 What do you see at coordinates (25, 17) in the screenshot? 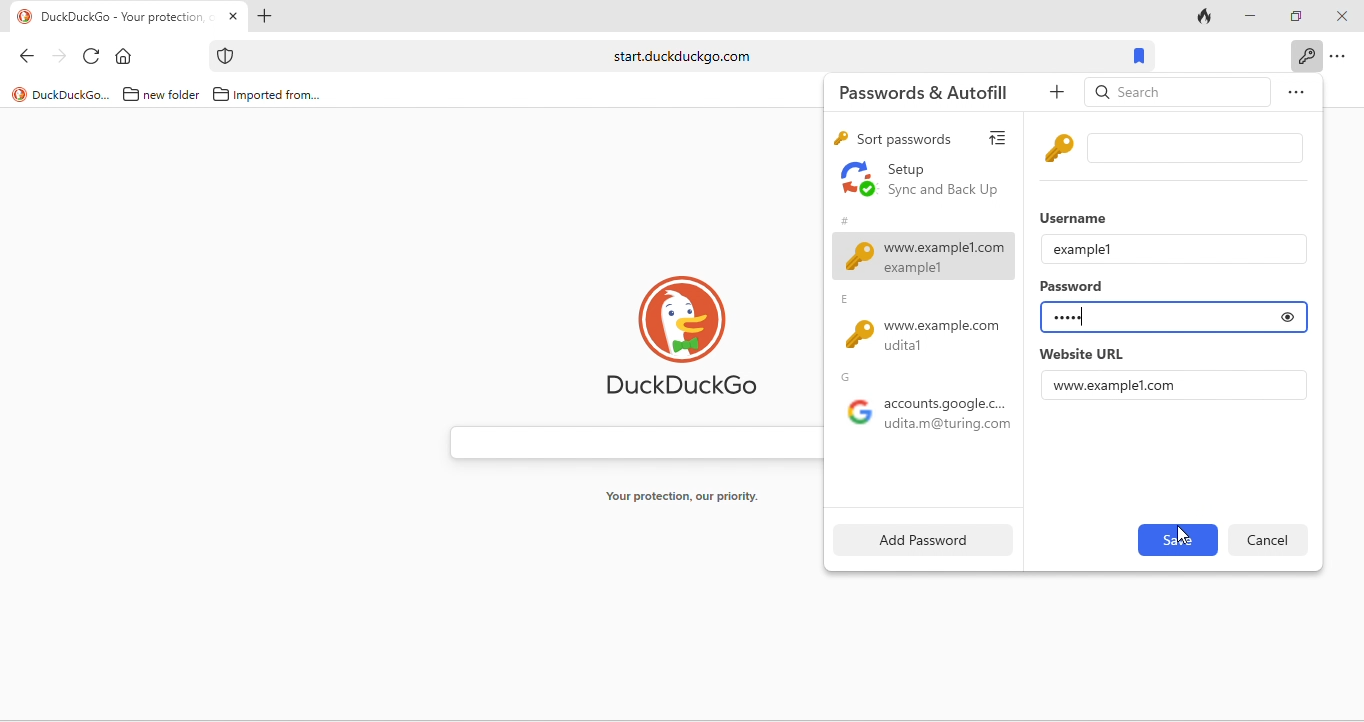
I see `logo` at bounding box center [25, 17].